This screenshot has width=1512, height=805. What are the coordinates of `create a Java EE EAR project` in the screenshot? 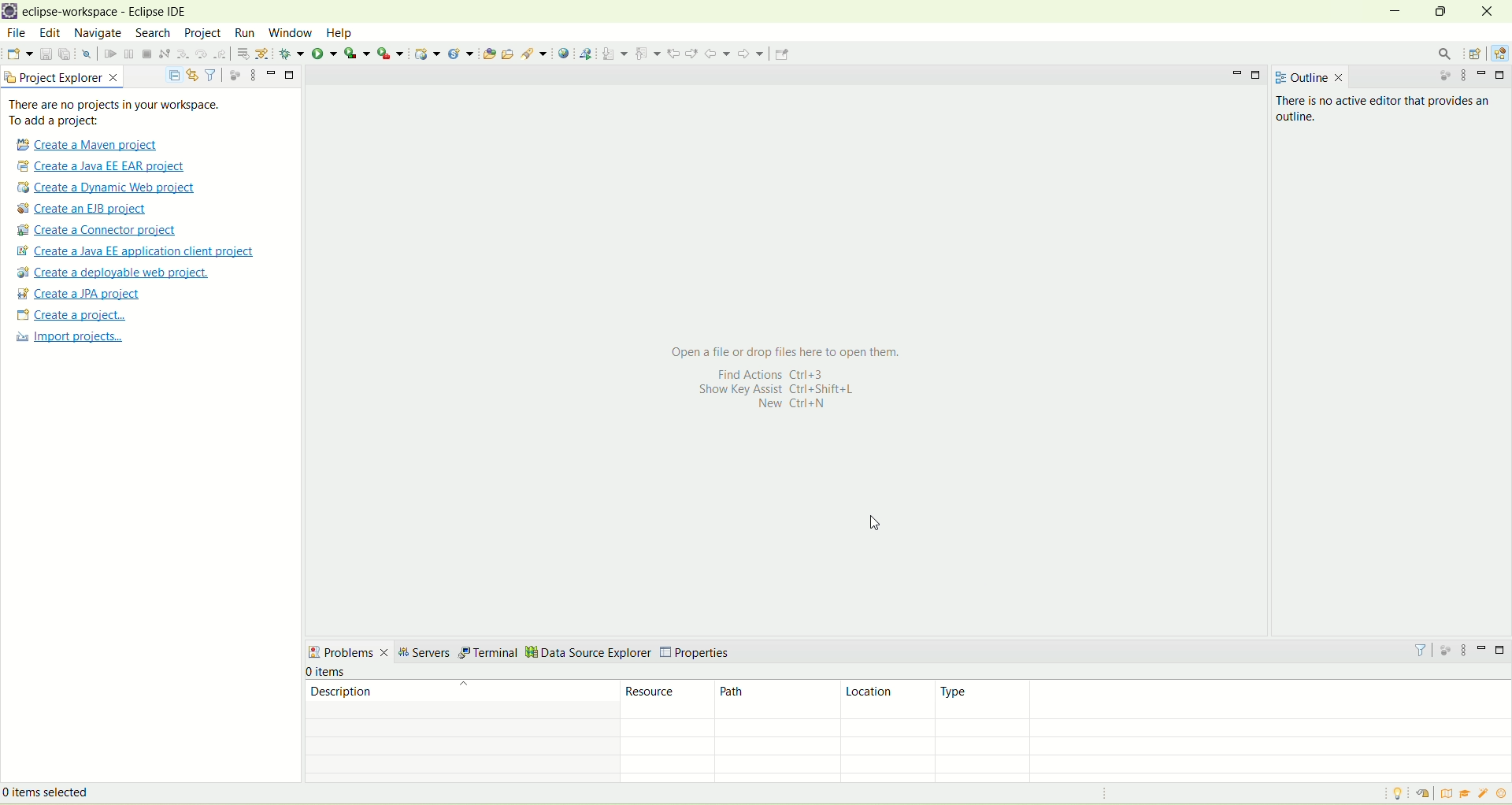 It's located at (102, 166).